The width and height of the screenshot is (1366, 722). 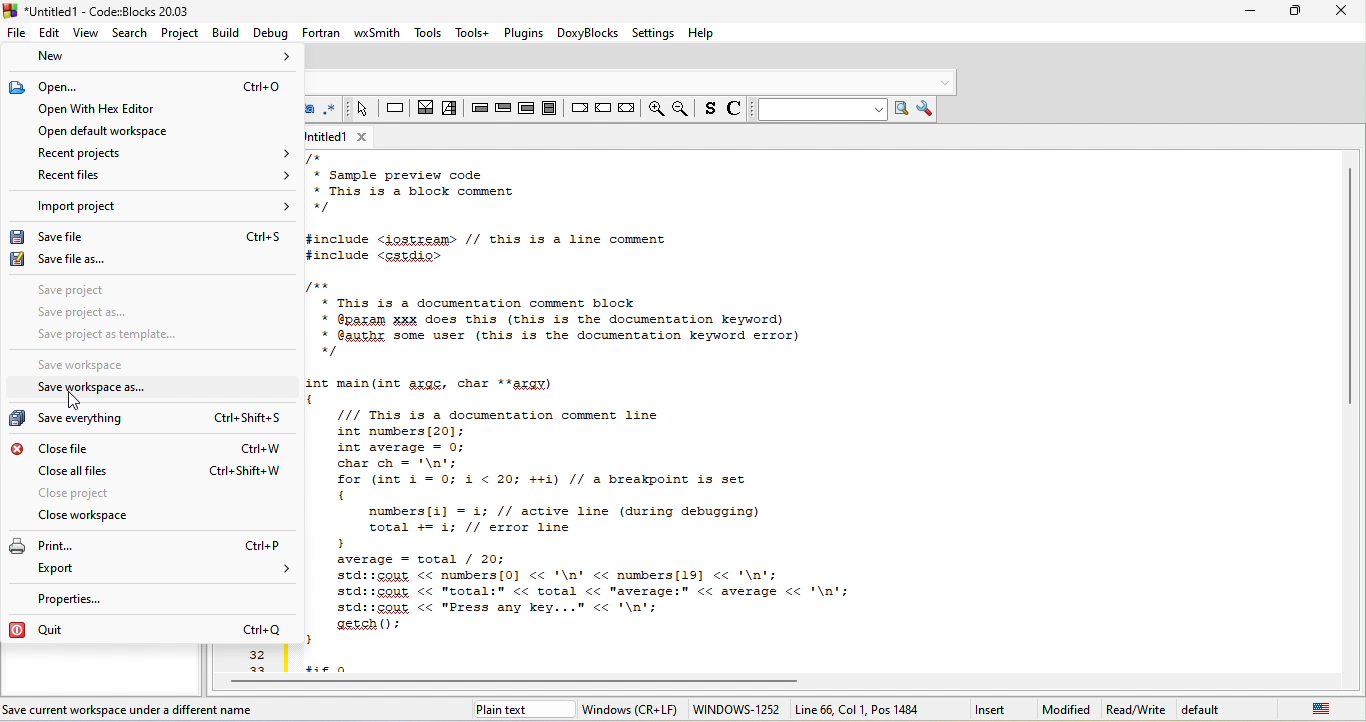 I want to click on exit, so click(x=503, y=111).